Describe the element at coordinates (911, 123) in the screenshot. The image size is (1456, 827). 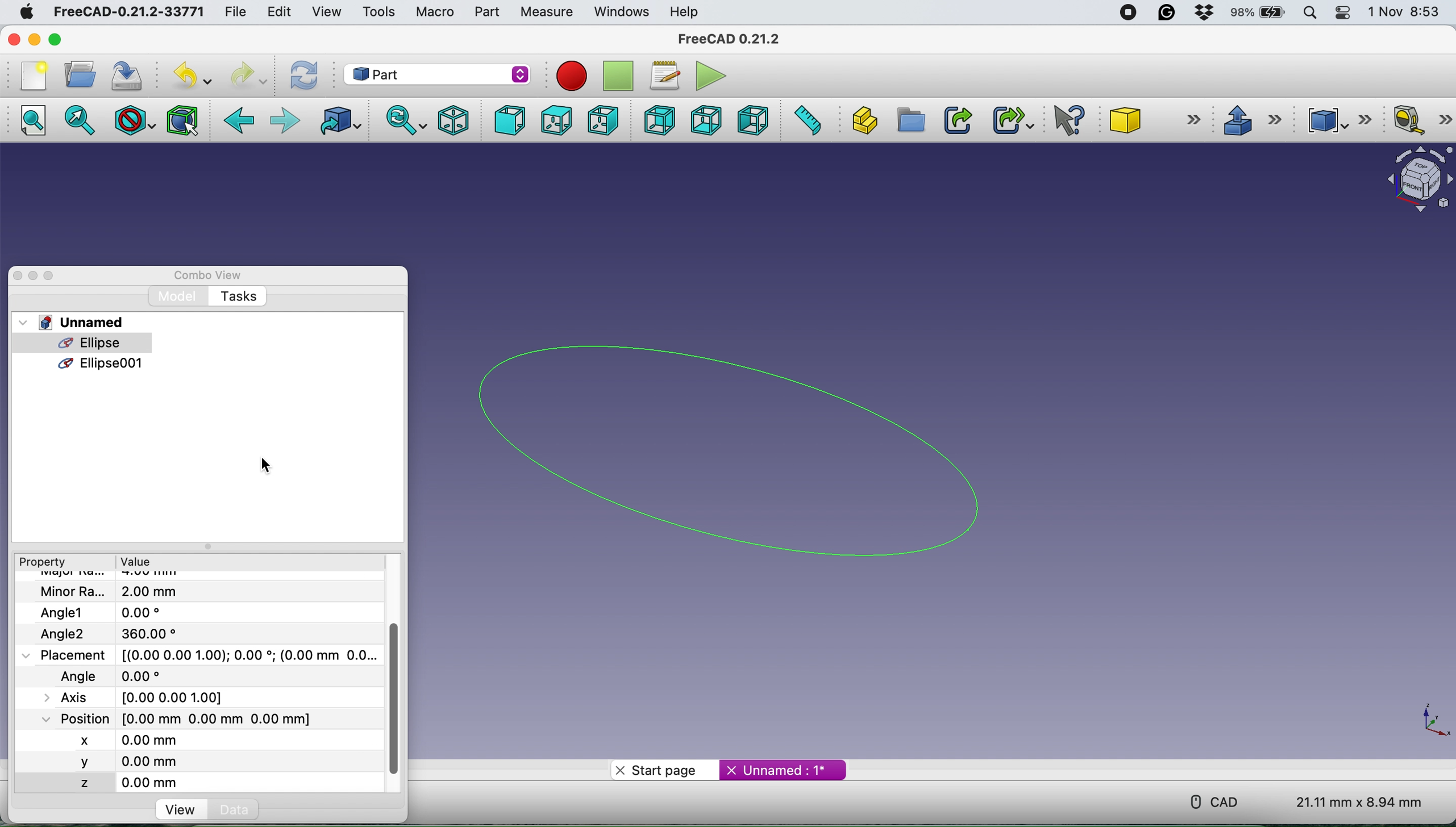
I see `create group` at that location.